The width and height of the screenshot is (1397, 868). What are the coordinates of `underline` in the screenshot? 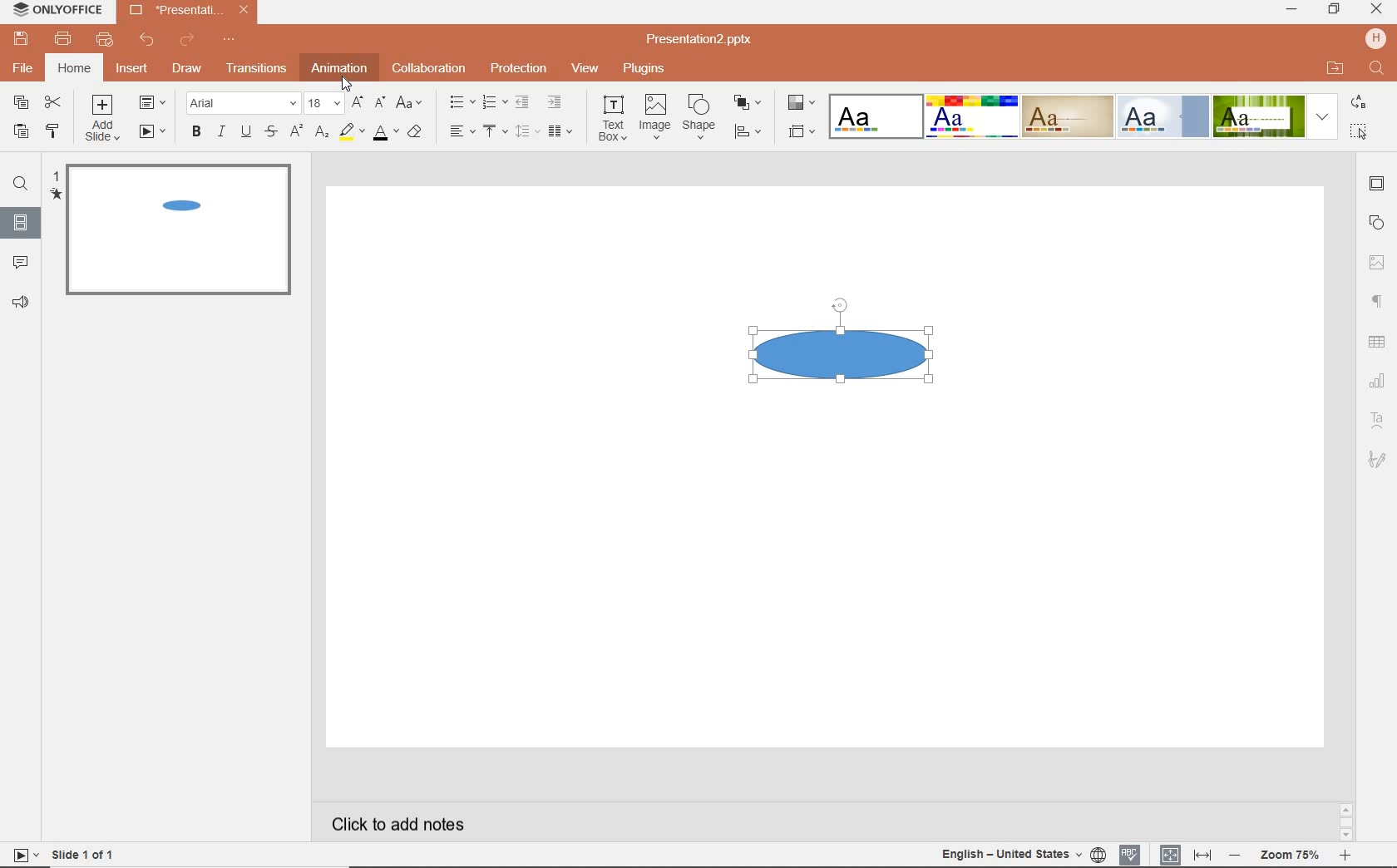 It's located at (246, 133).